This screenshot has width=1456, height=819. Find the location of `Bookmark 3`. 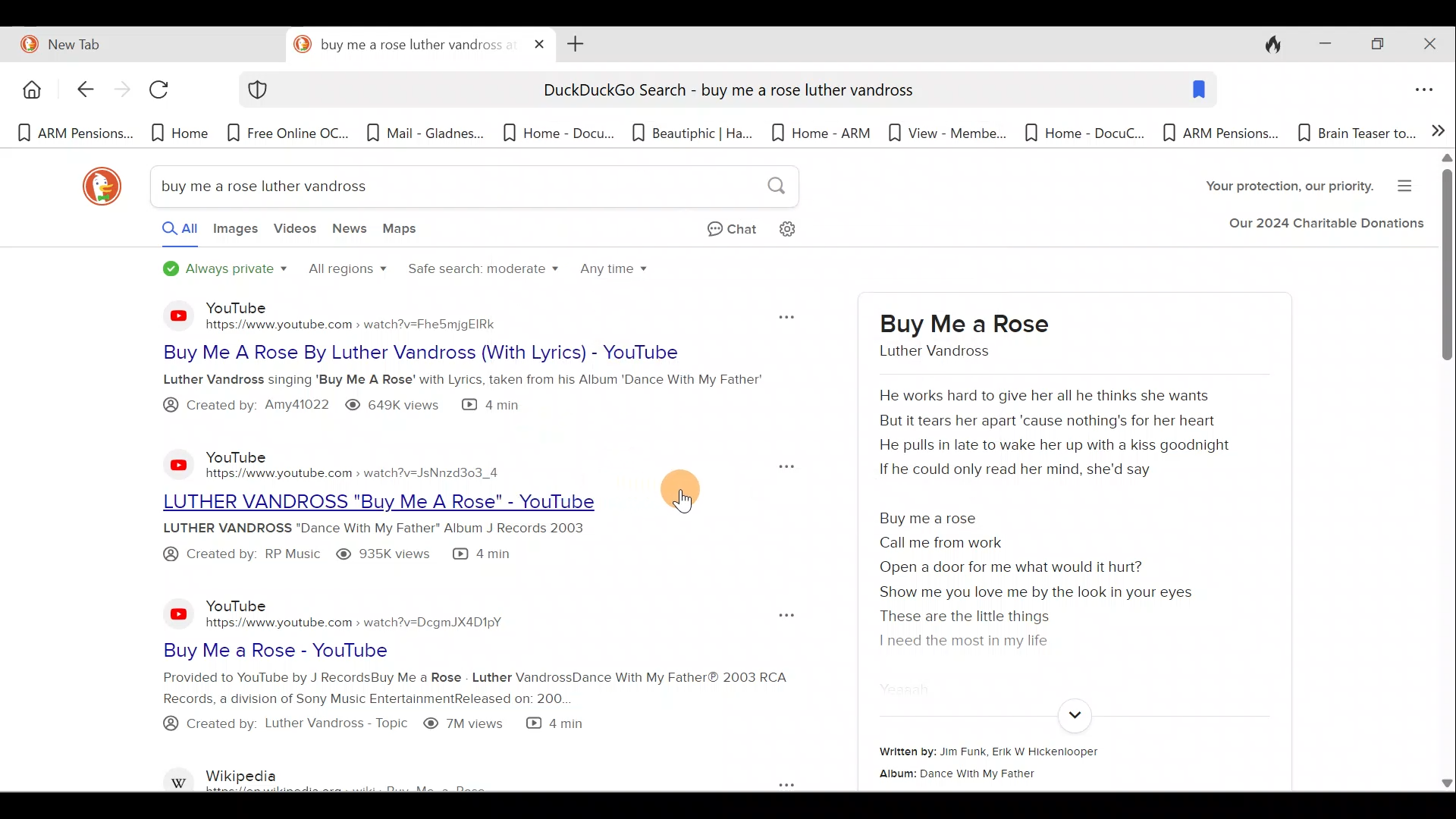

Bookmark 3 is located at coordinates (290, 133).